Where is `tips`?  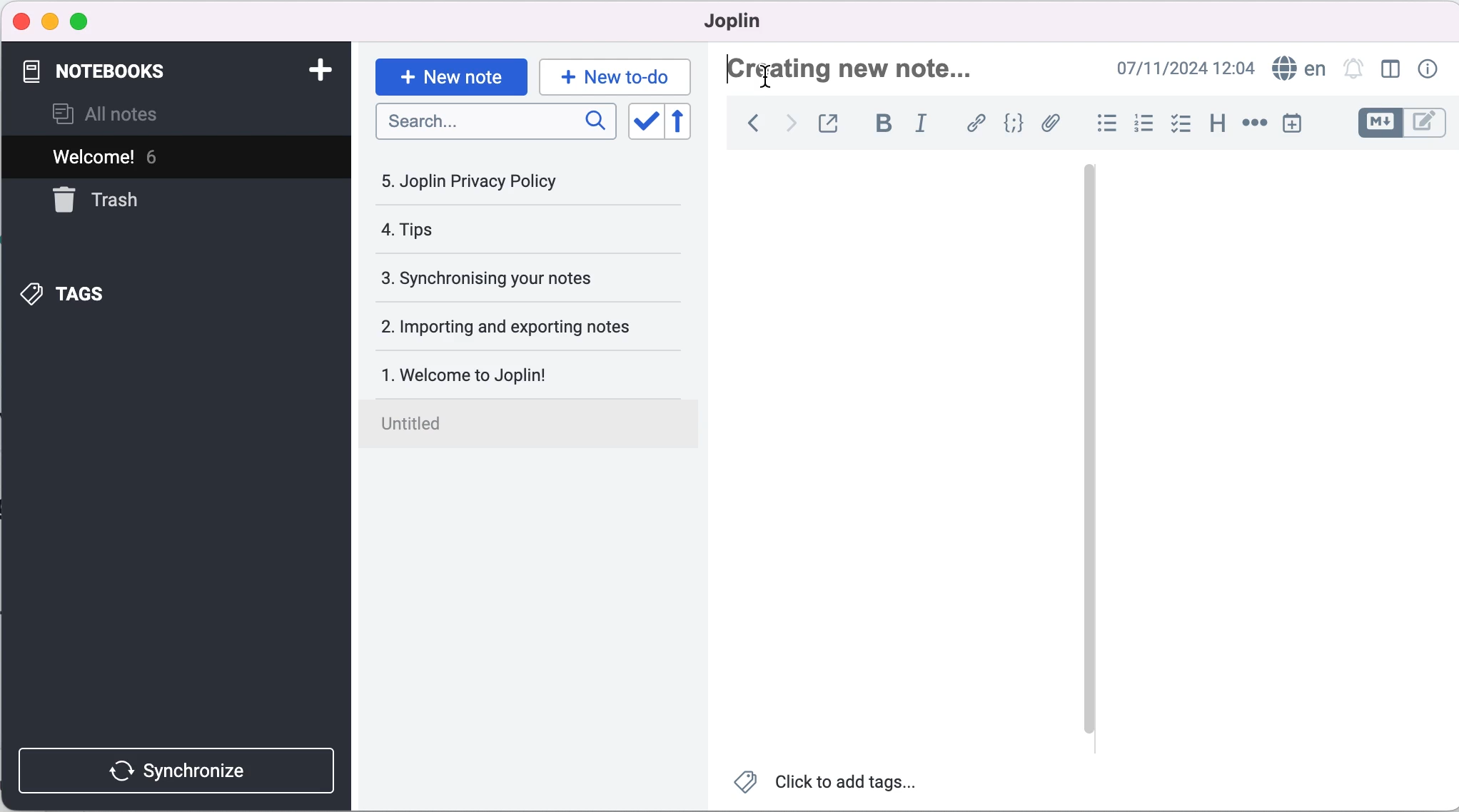 tips is located at coordinates (499, 230).